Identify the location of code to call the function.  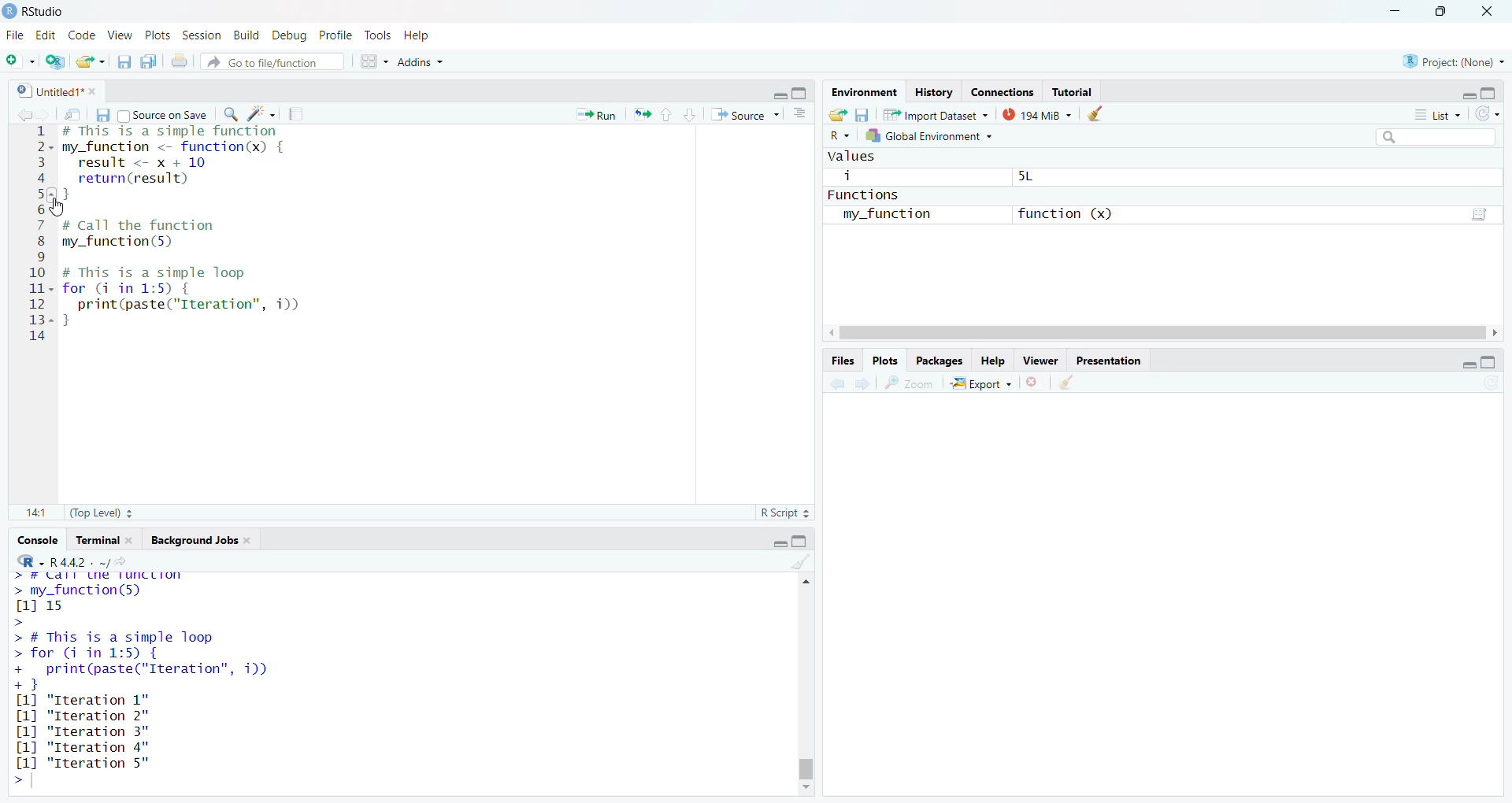
(175, 235).